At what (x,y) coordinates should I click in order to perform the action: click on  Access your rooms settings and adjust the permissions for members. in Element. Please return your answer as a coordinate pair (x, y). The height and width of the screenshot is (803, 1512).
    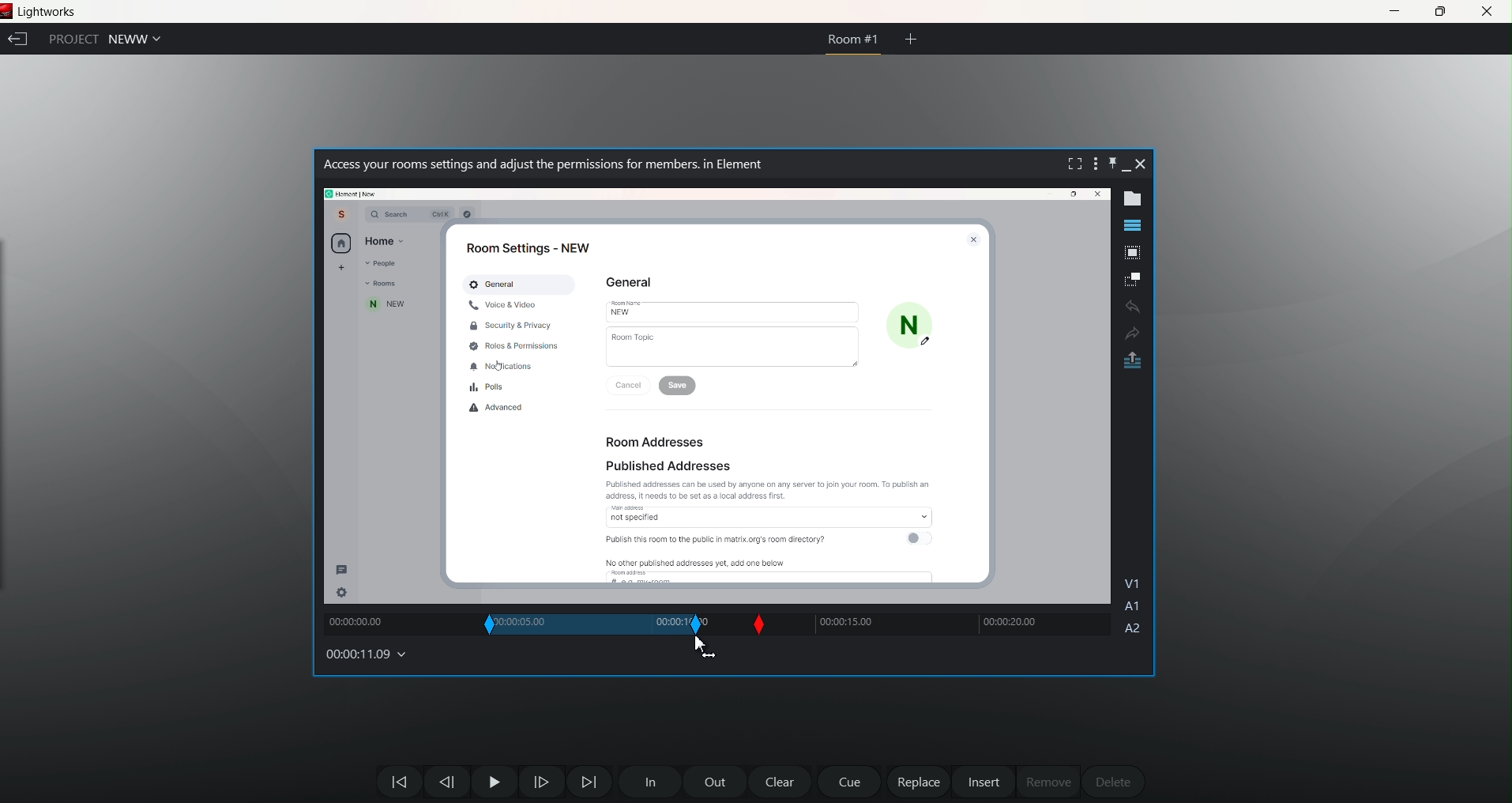
    Looking at the image, I should click on (547, 162).